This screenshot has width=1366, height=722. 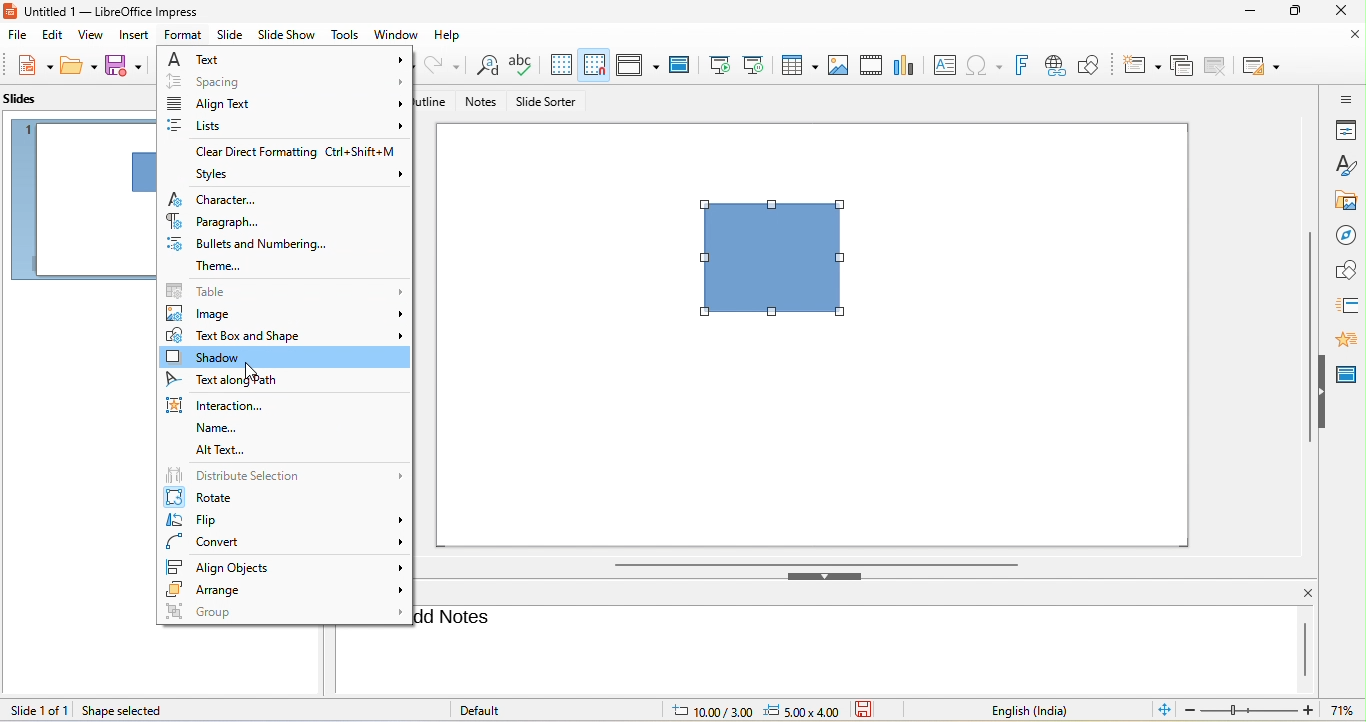 I want to click on close, so click(x=1299, y=593).